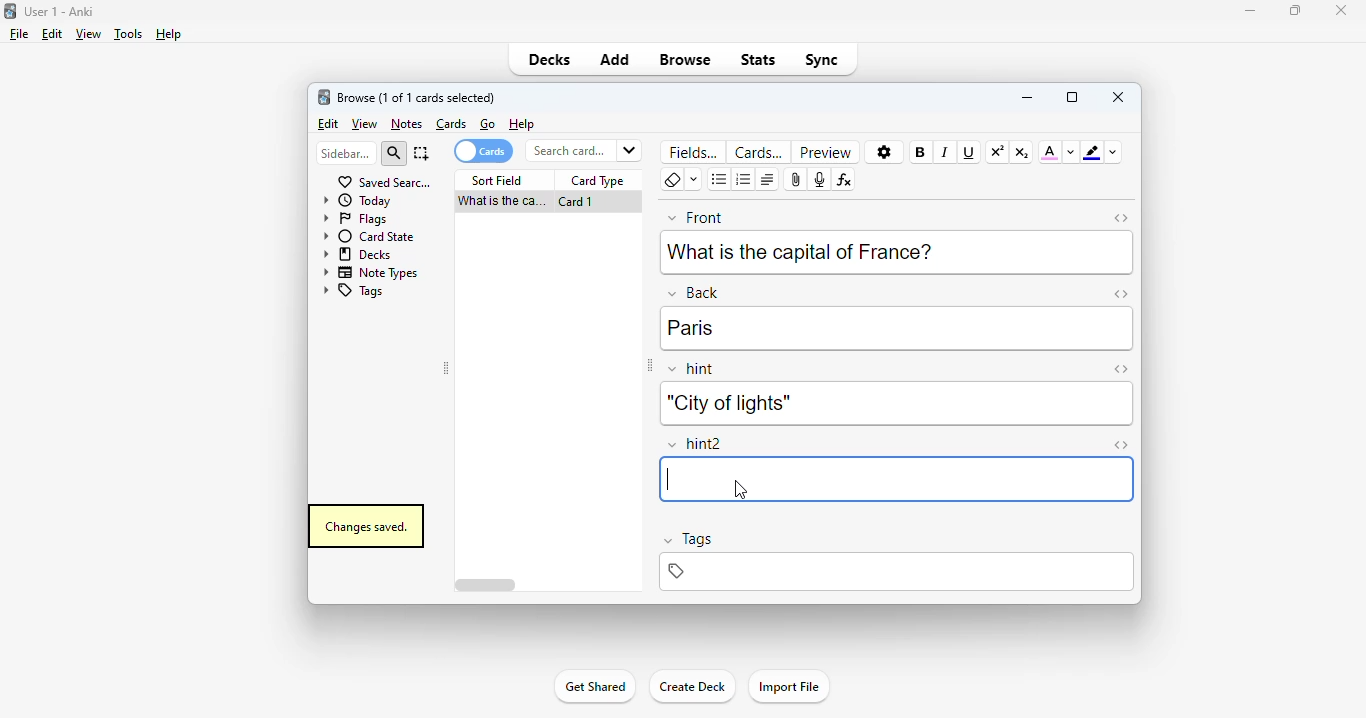  I want to click on attach pictures/audio/video, so click(796, 180).